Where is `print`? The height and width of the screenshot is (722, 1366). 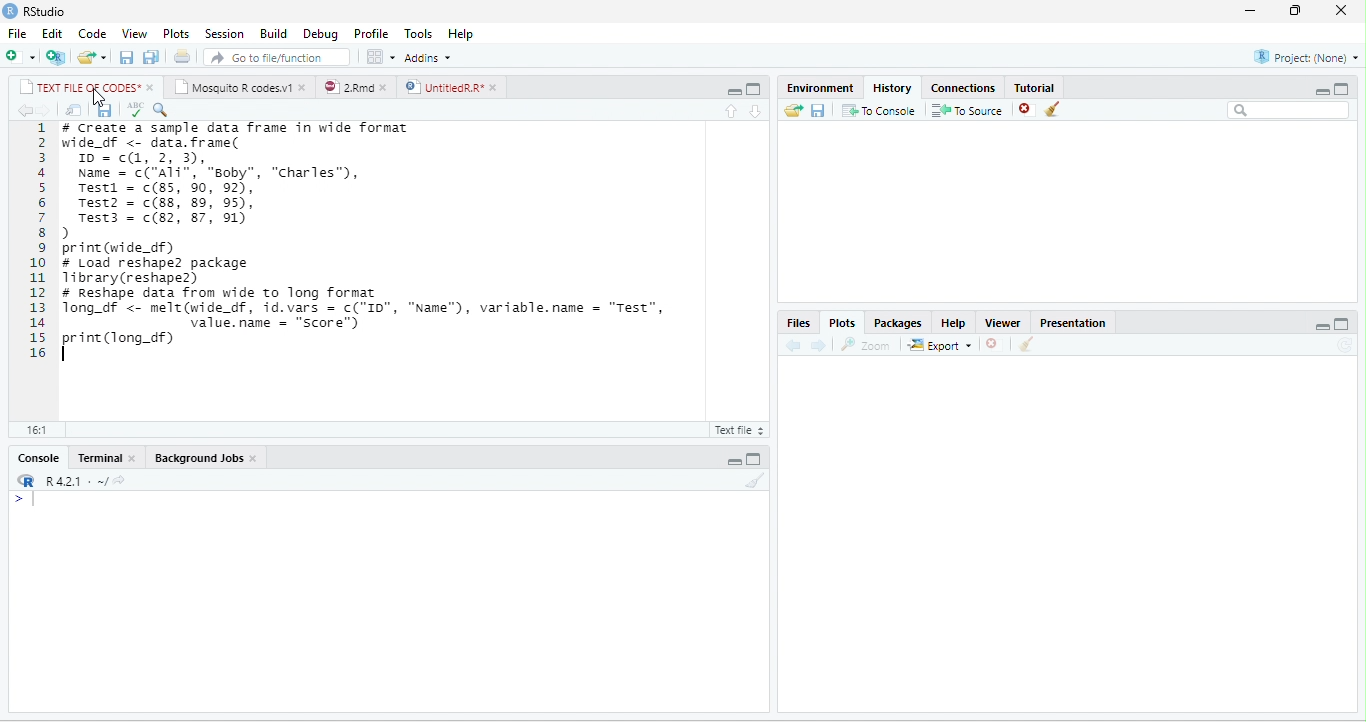 print is located at coordinates (183, 57).